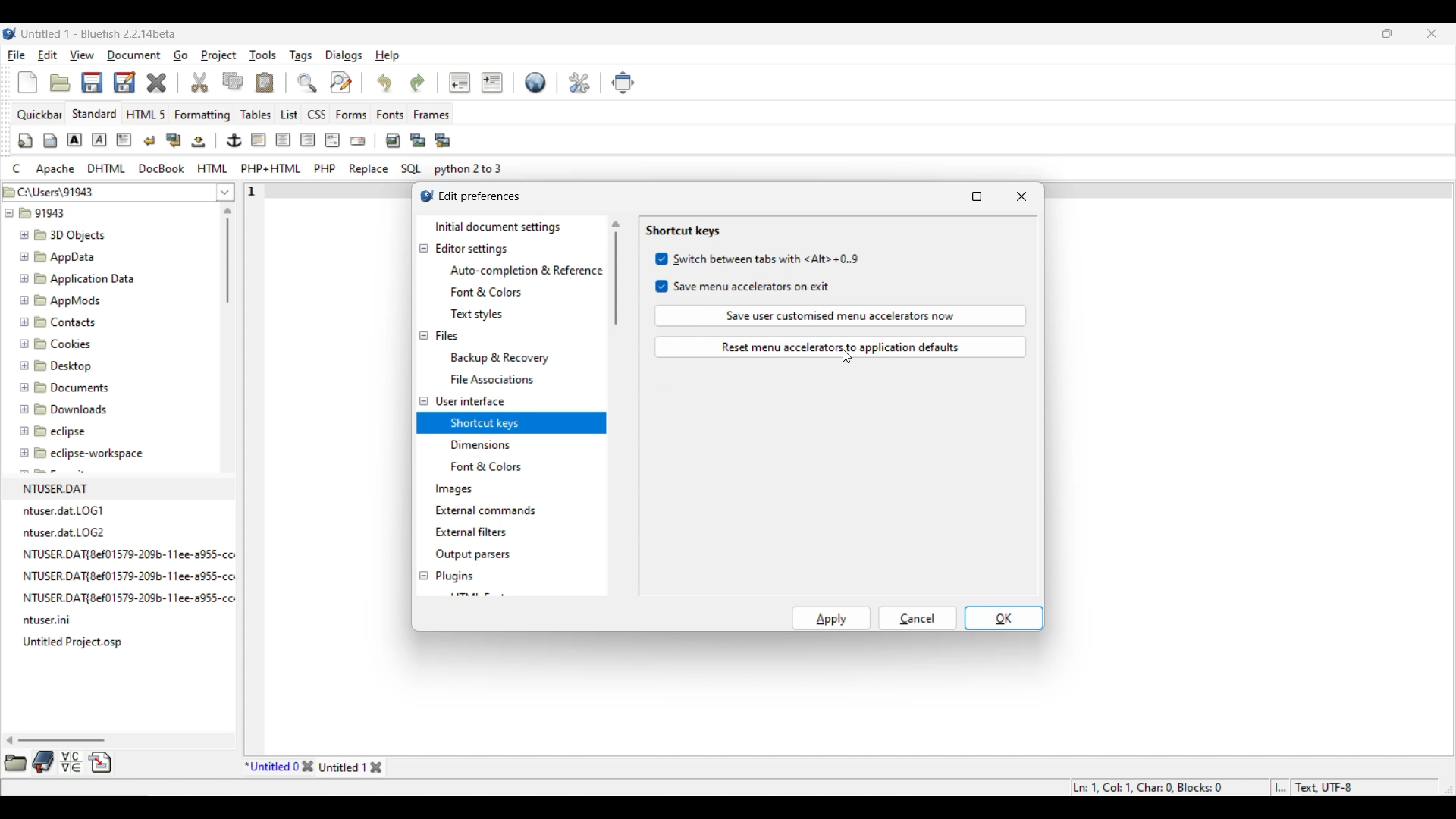  Describe the element at coordinates (108, 82) in the screenshot. I see `Save` at that location.